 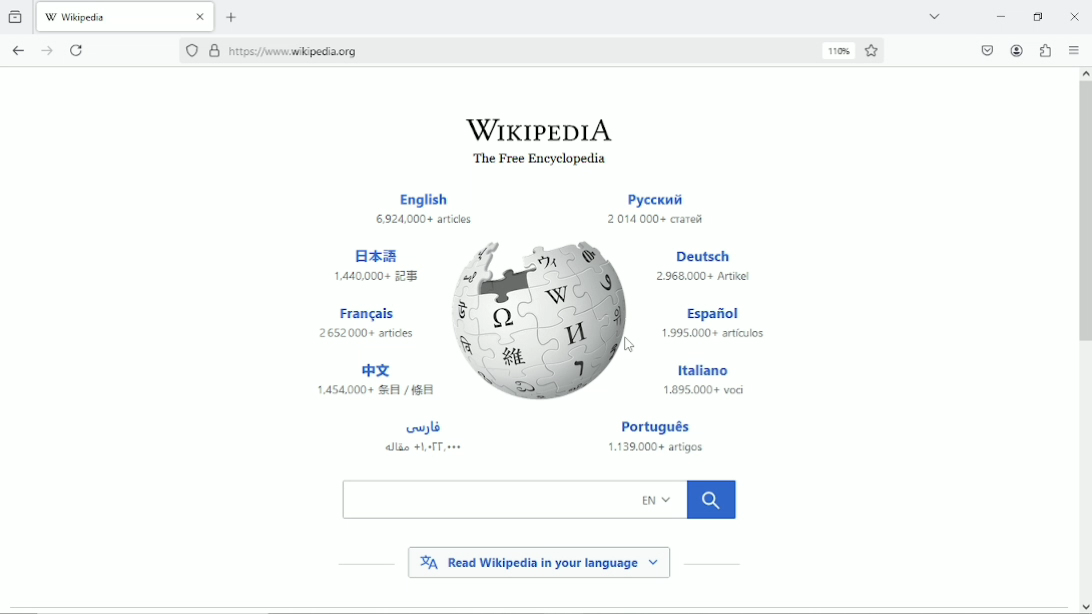 What do you see at coordinates (1075, 16) in the screenshot?
I see `Close` at bounding box center [1075, 16].